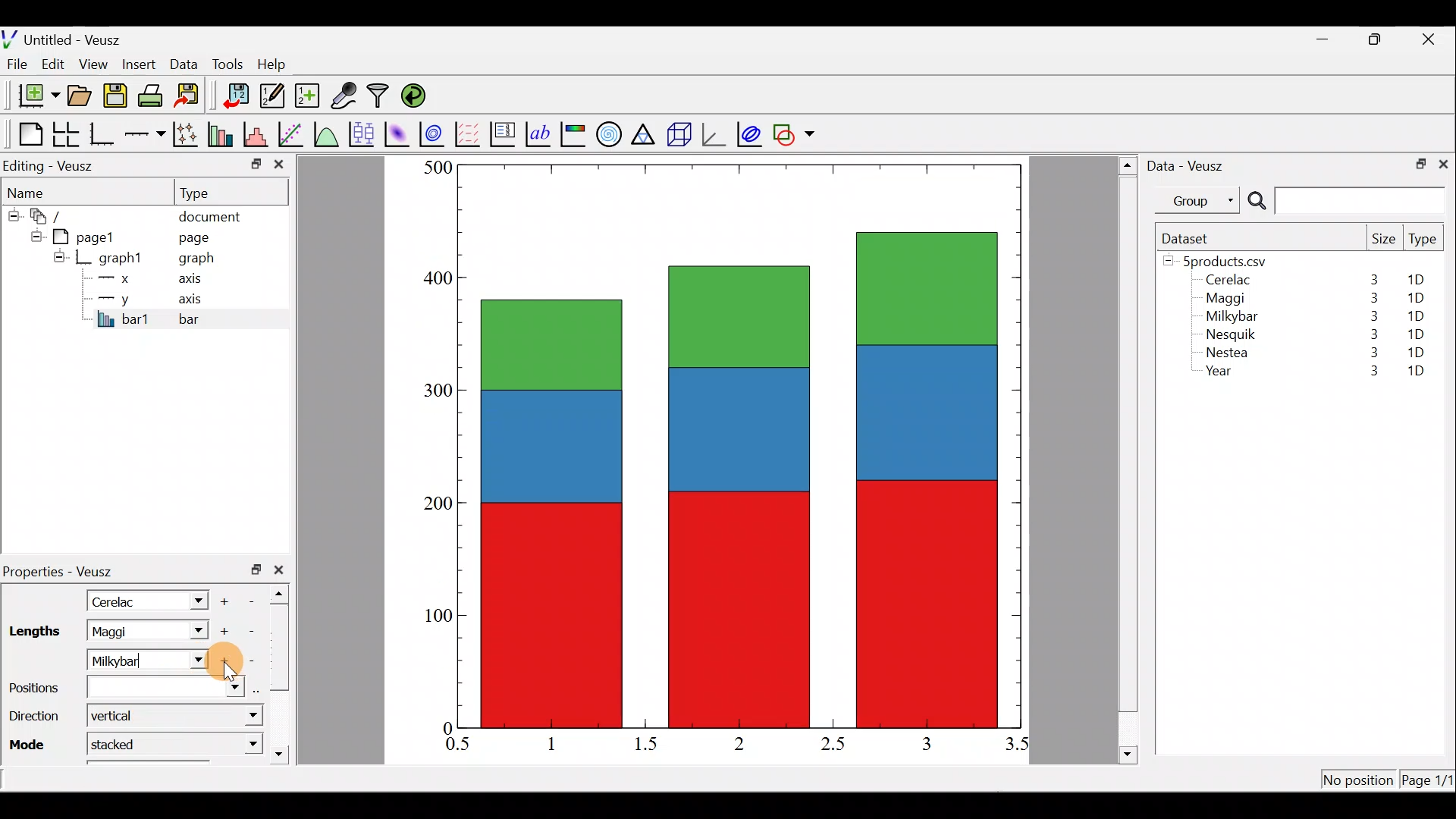 The width and height of the screenshot is (1456, 819). Describe the element at coordinates (327, 133) in the screenshot. I see `Plot a function` at that location.